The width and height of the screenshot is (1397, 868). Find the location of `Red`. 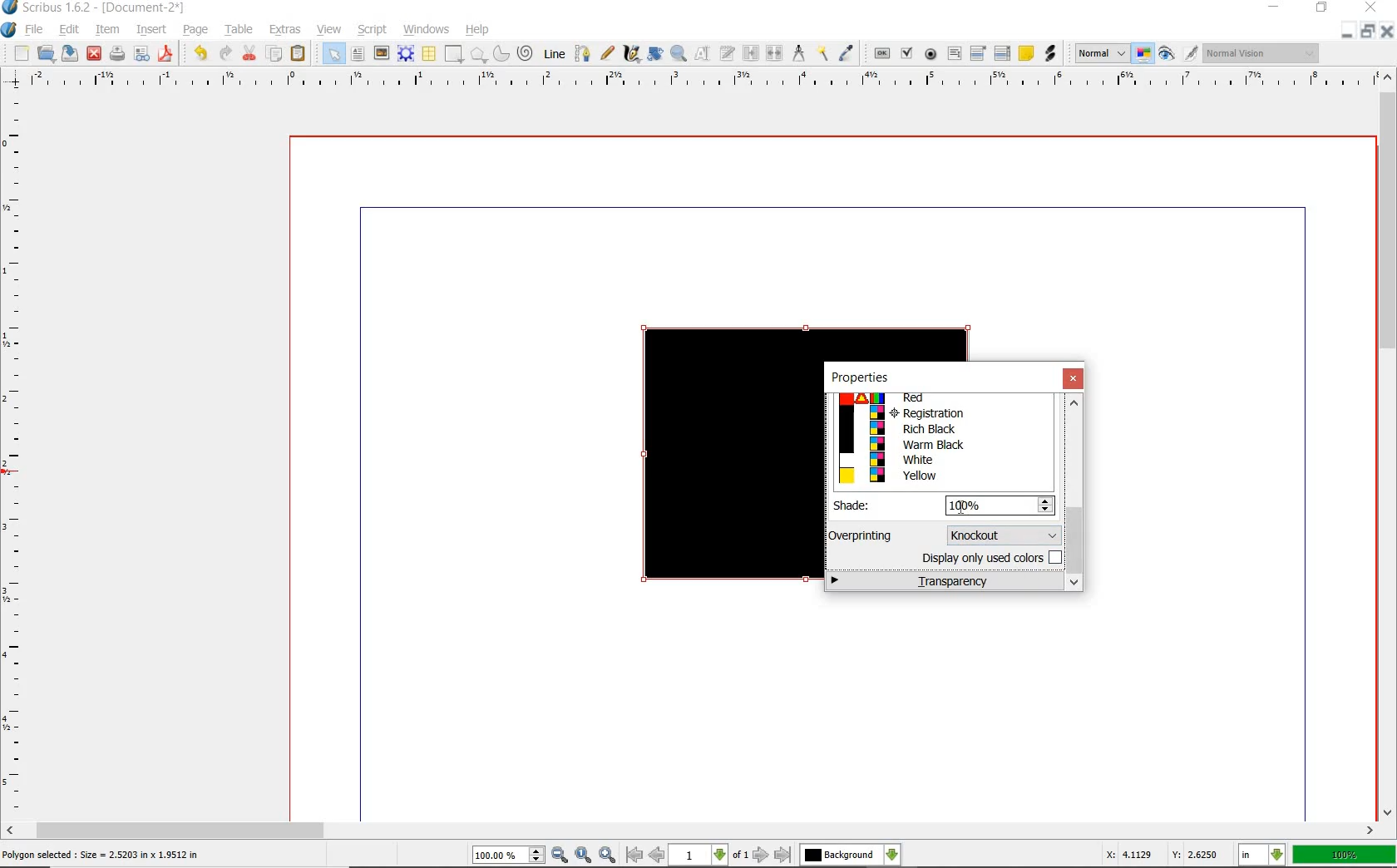

Red is located at coordinates (937, 399).